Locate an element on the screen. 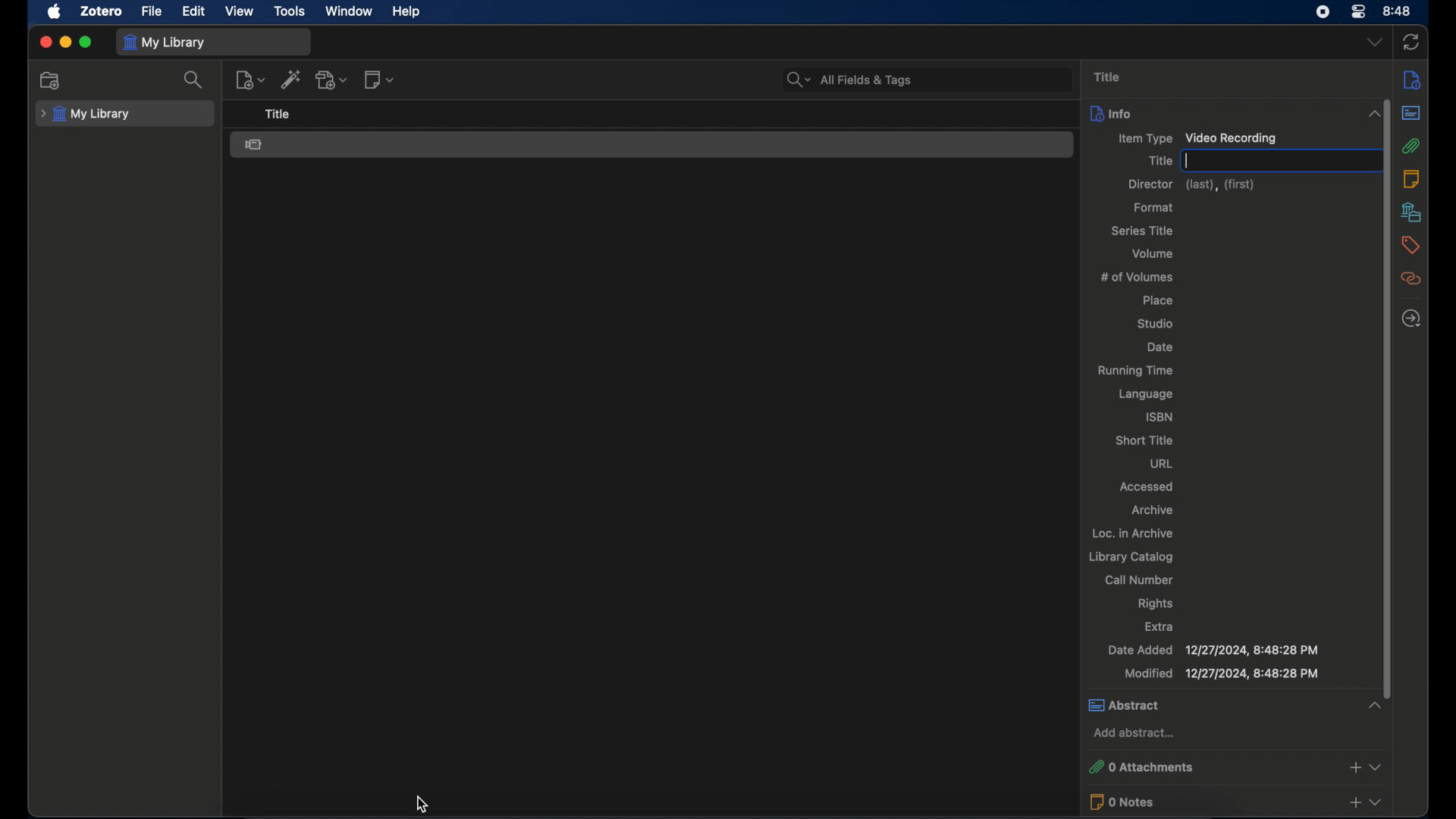  loc. in archive is located at coordinates (1133, 532).